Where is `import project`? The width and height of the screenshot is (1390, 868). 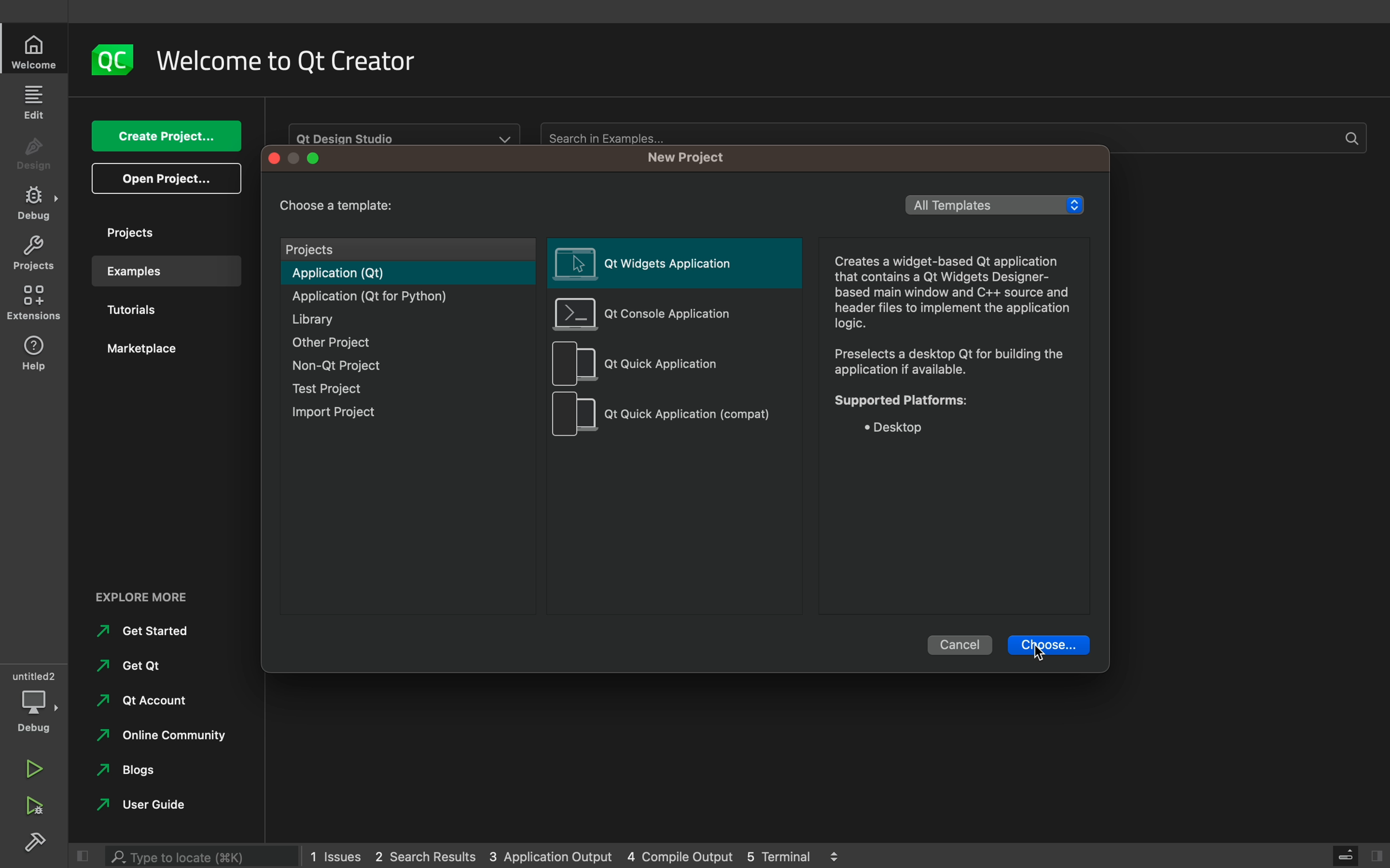 import project is located at coordinates (403, 411).